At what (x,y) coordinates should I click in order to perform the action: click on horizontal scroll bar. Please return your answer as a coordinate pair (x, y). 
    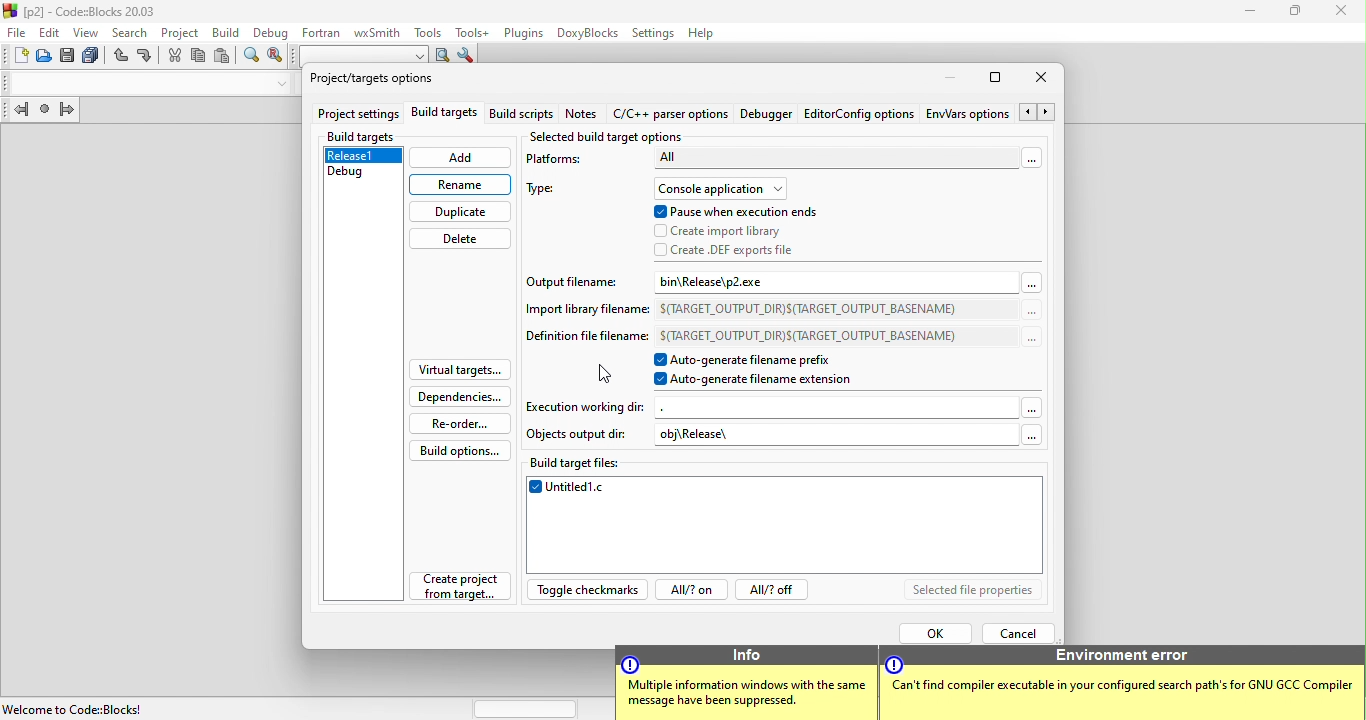
    Looking at the image, I should click on (526, 707).